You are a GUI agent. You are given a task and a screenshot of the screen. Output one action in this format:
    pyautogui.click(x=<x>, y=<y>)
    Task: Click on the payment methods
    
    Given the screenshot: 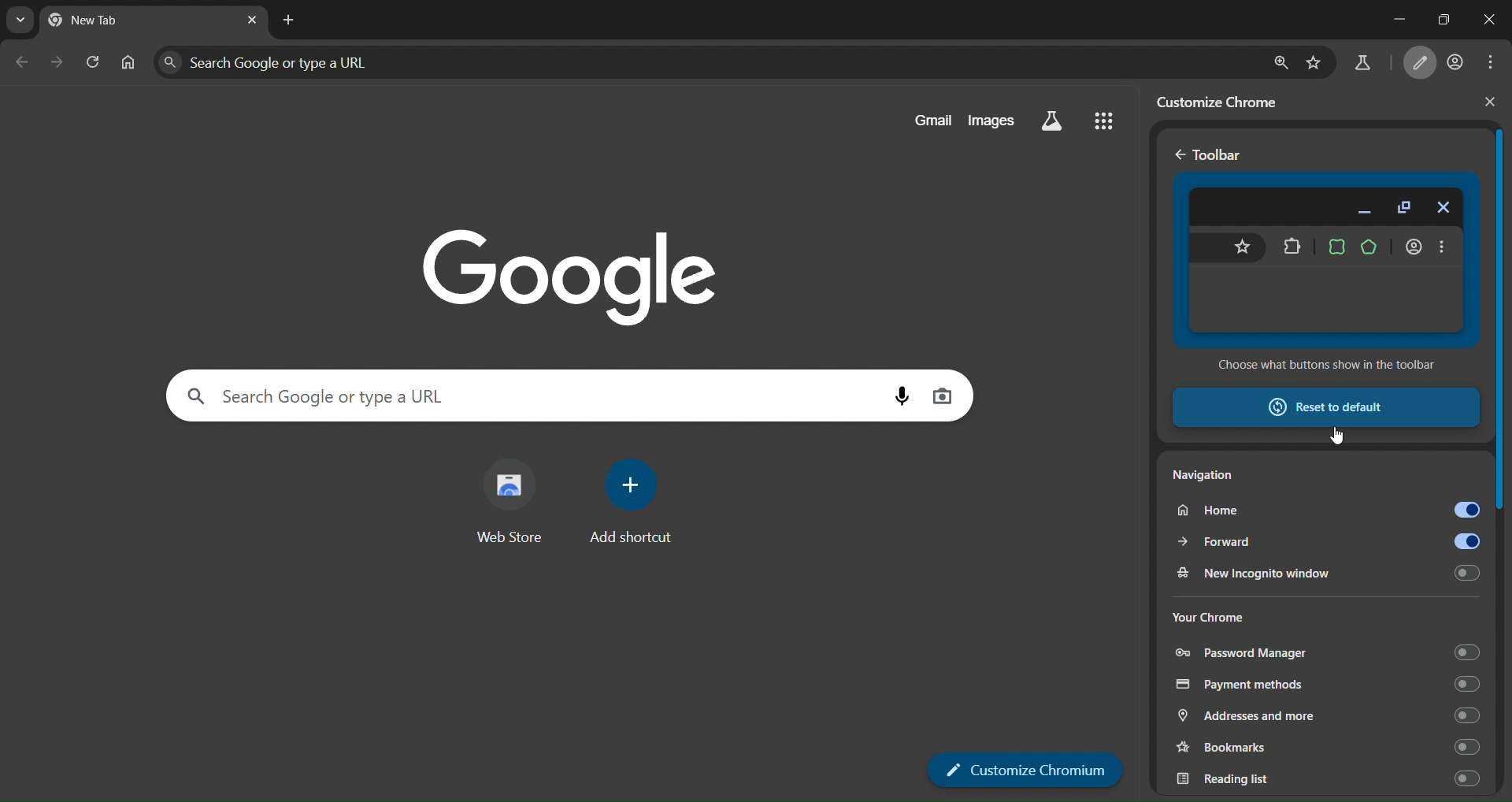 What is the action you would take?
    pyautogui.click(x=1323, y=685)
    